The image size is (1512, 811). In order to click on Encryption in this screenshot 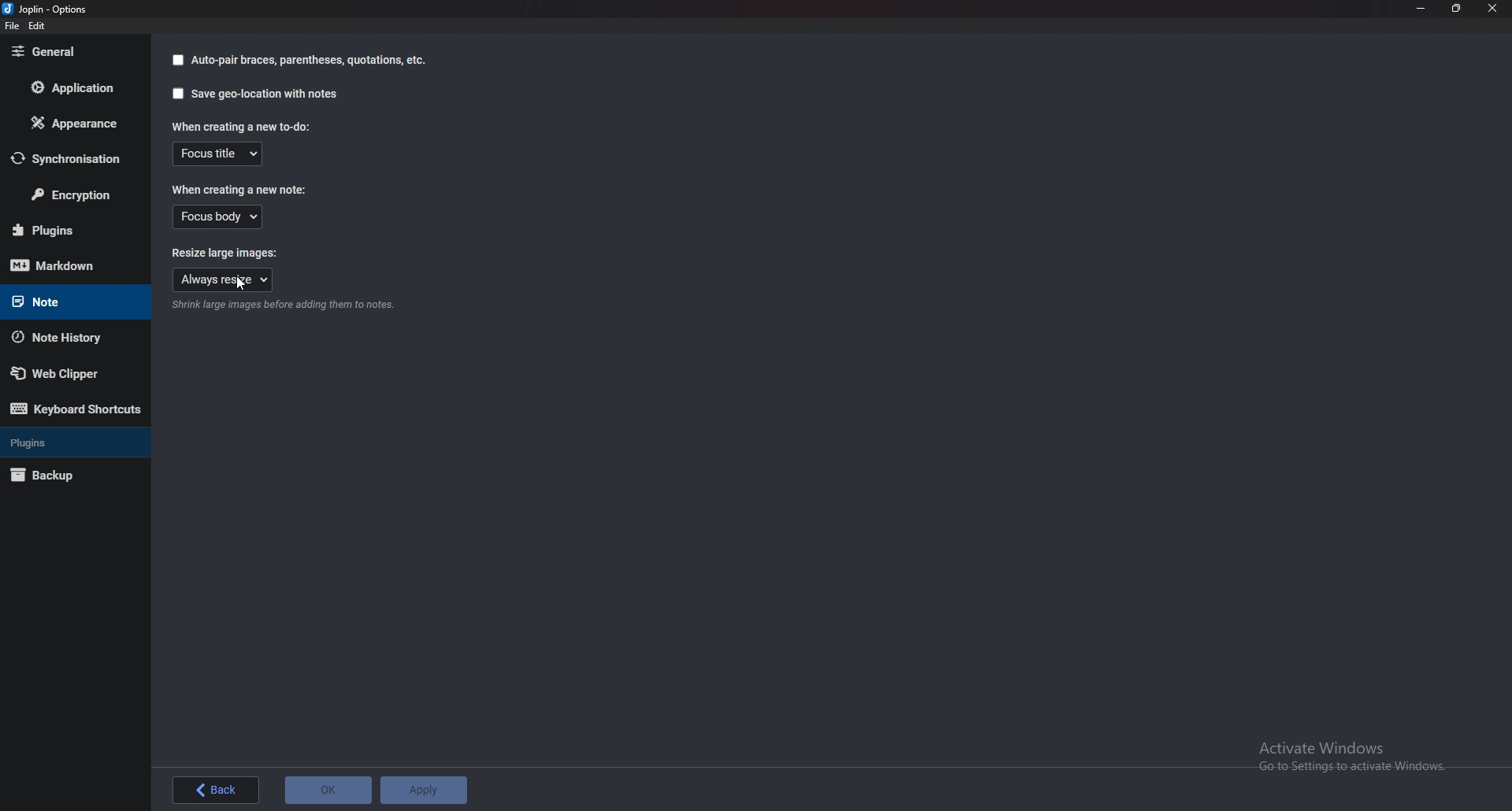, I will do `click(76, 195)`.